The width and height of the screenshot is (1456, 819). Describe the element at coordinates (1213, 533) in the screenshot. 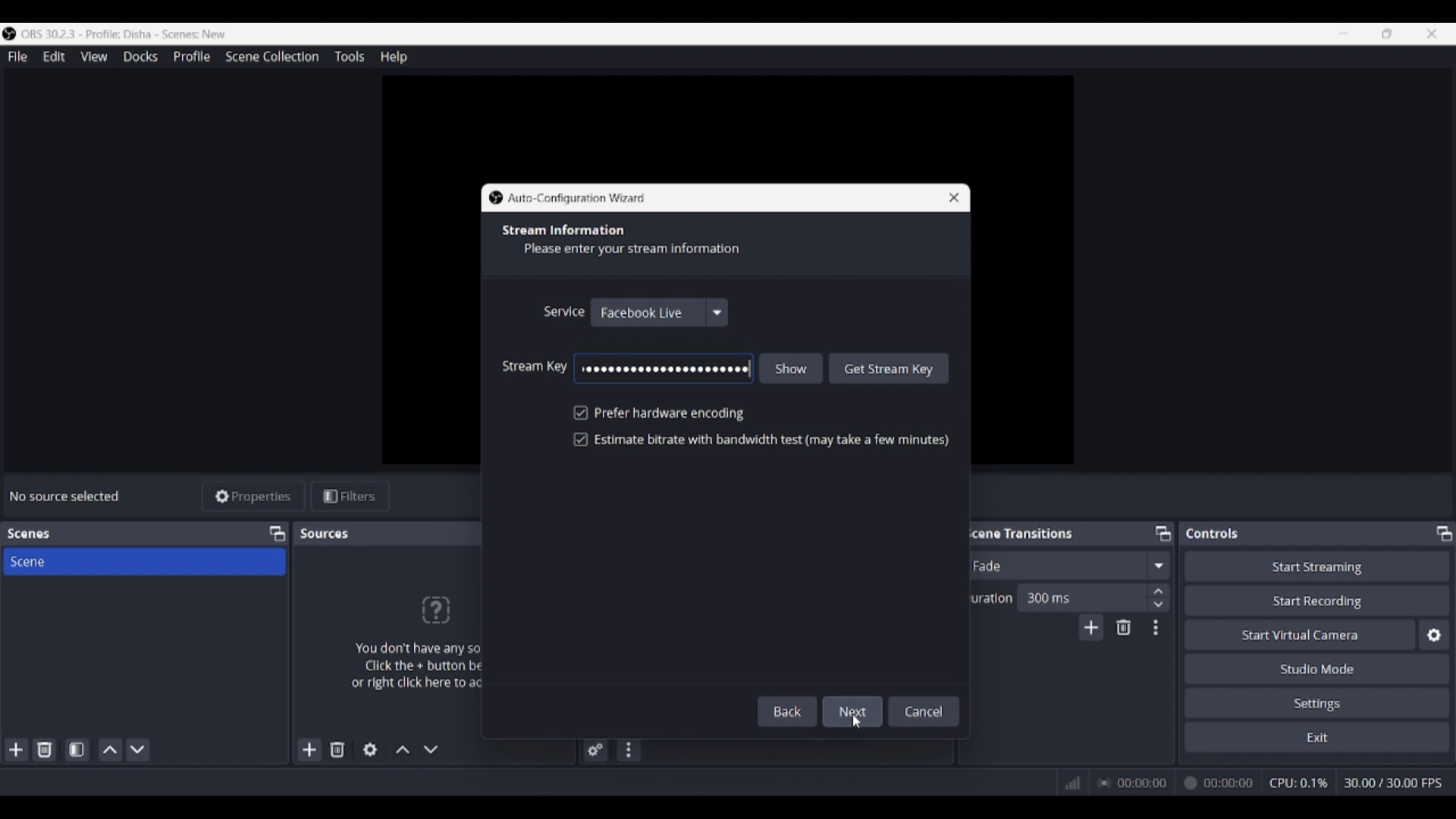

I see `Panel title` at that location.